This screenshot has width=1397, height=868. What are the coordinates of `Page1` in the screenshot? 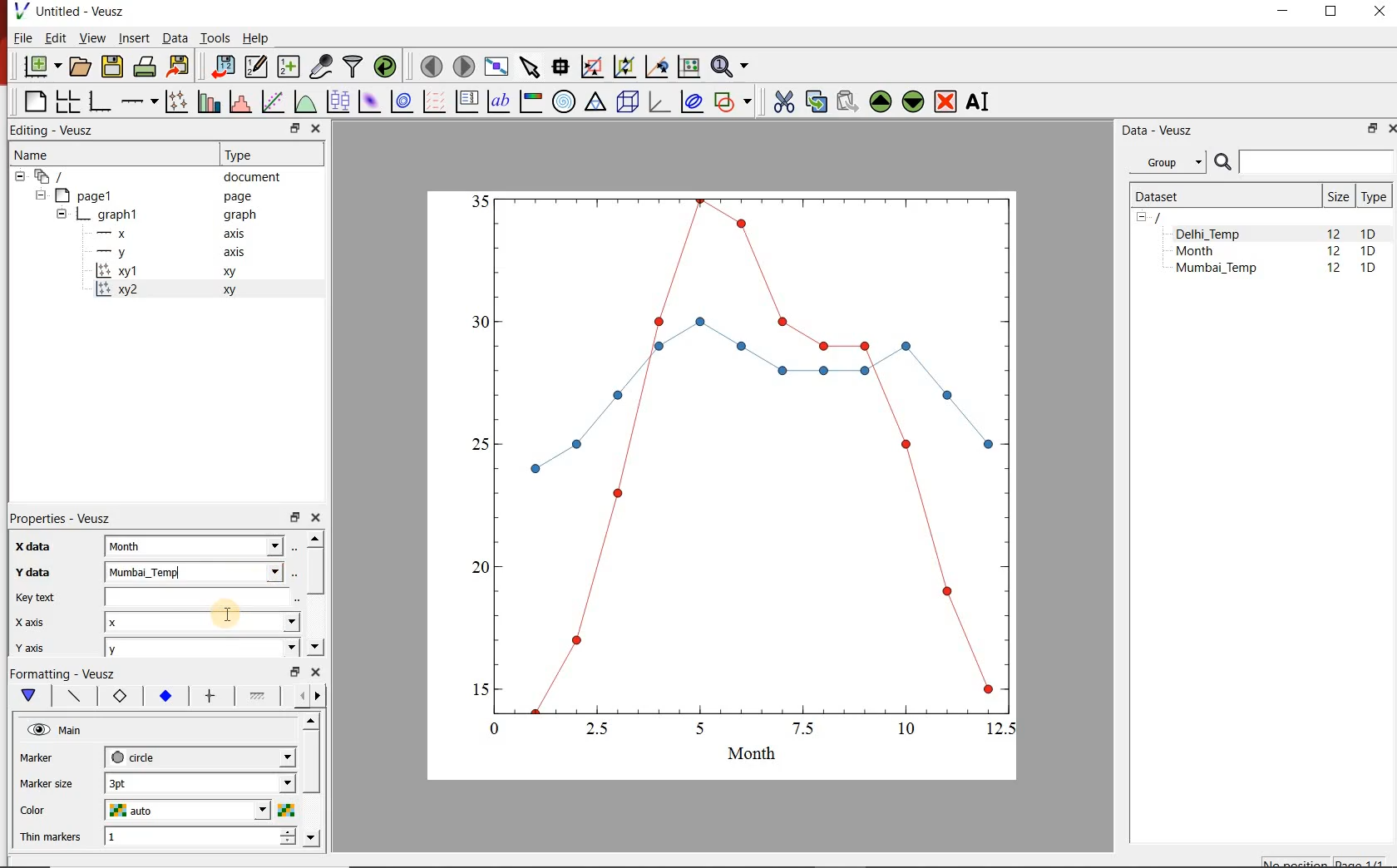 It's located at (145, 195).